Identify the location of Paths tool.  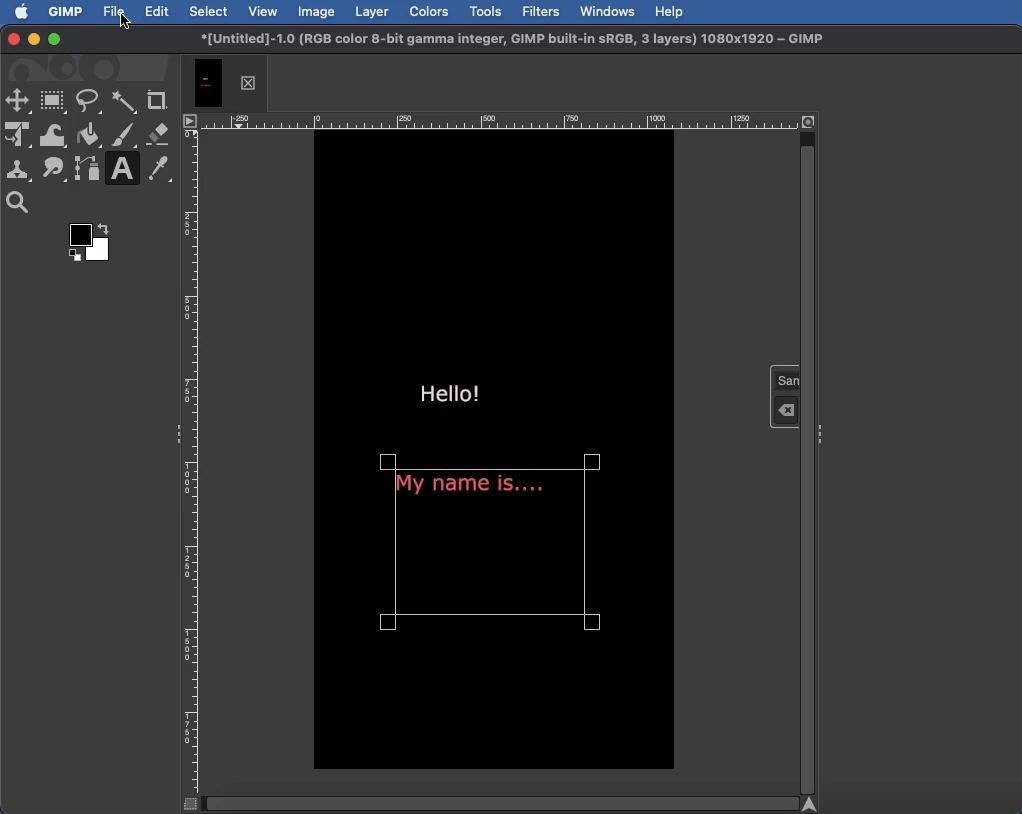
(86, 167).